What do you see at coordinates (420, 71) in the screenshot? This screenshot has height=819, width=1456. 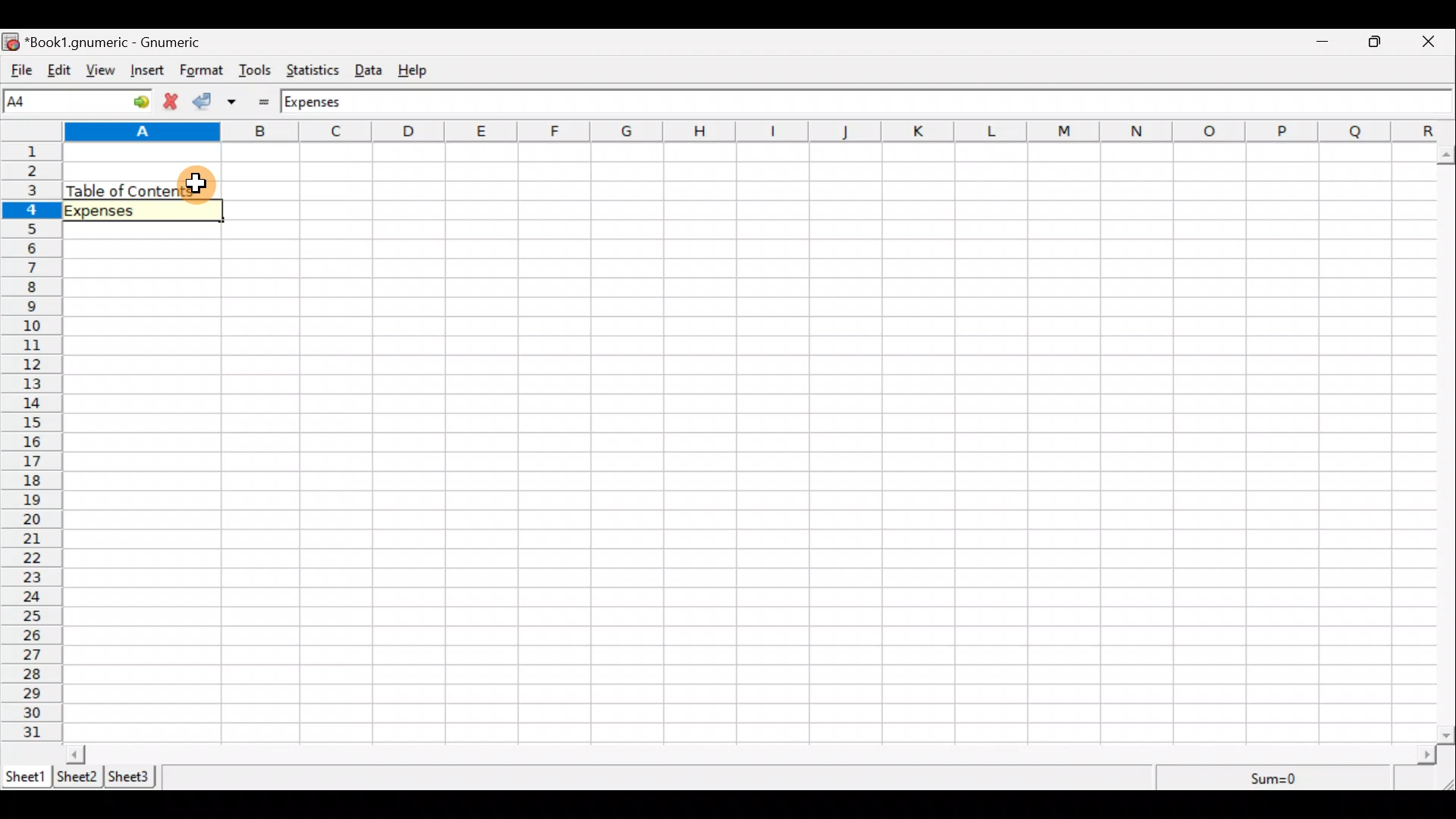 I see `Help` at bounding box center [420, 71].